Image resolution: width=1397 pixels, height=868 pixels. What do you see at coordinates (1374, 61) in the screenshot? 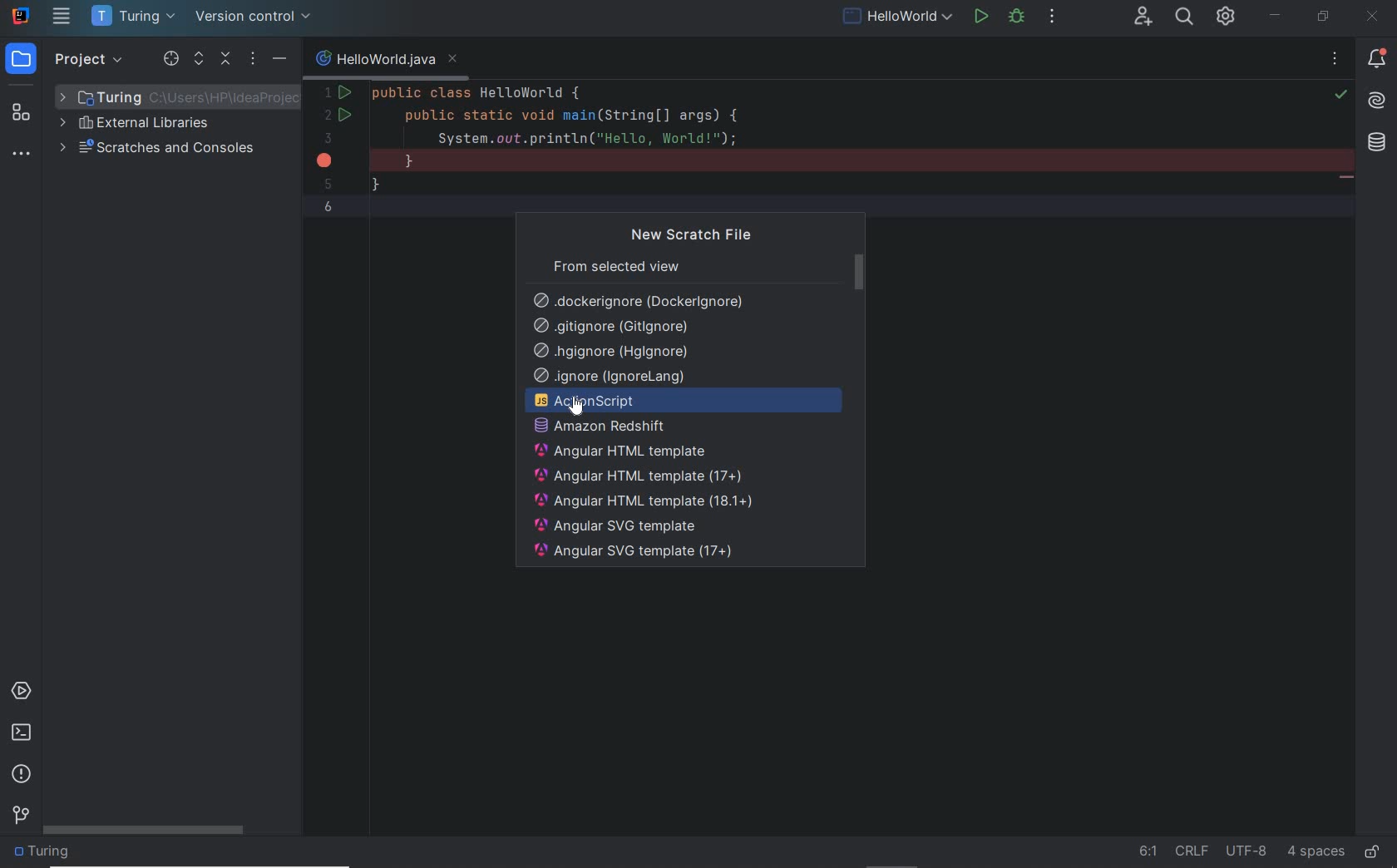
I see `notifications` at bounding box center [1374, 61].